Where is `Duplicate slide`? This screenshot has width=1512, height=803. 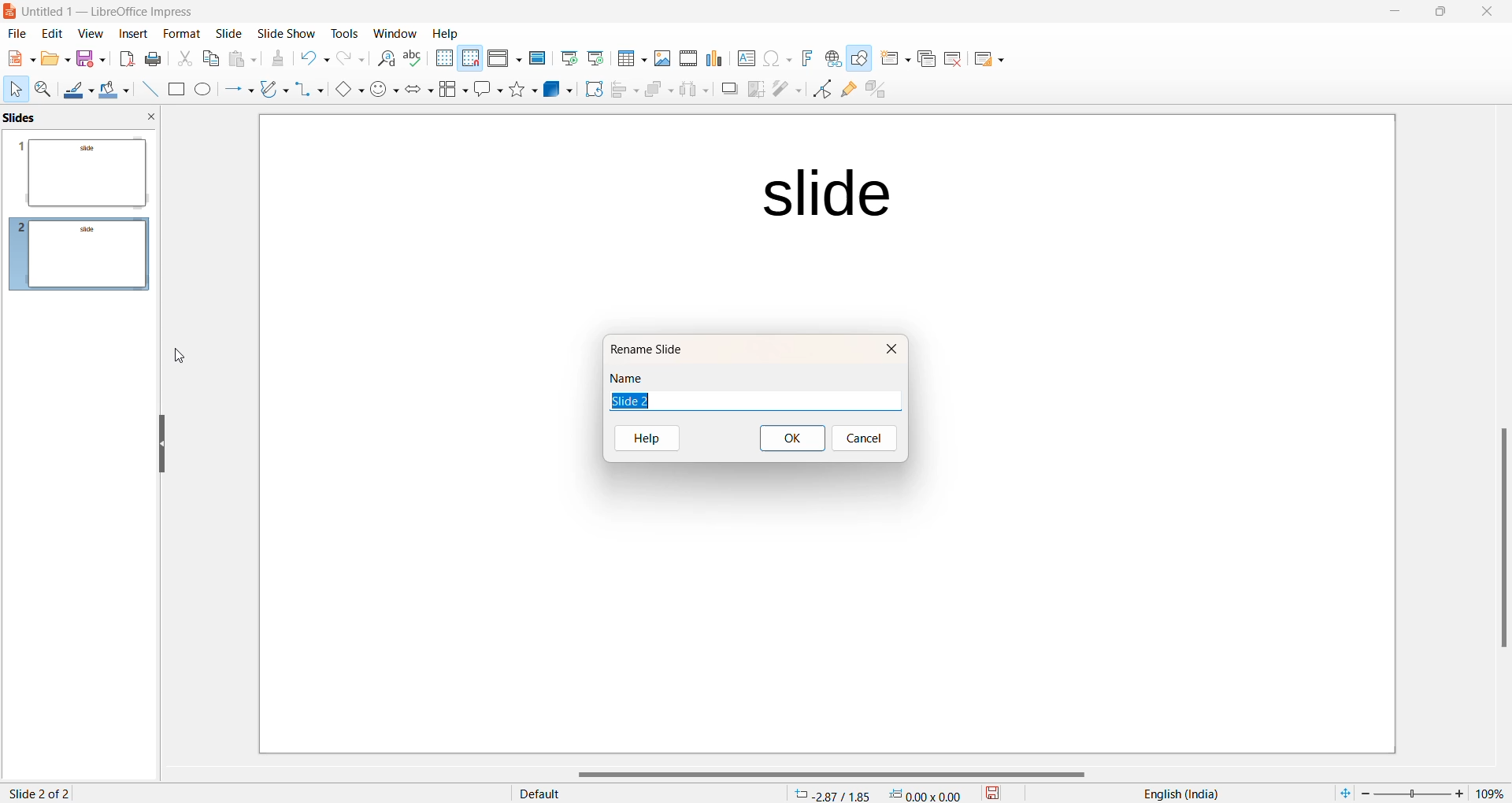 Duplicate slide is located at coordinates (924, 61).